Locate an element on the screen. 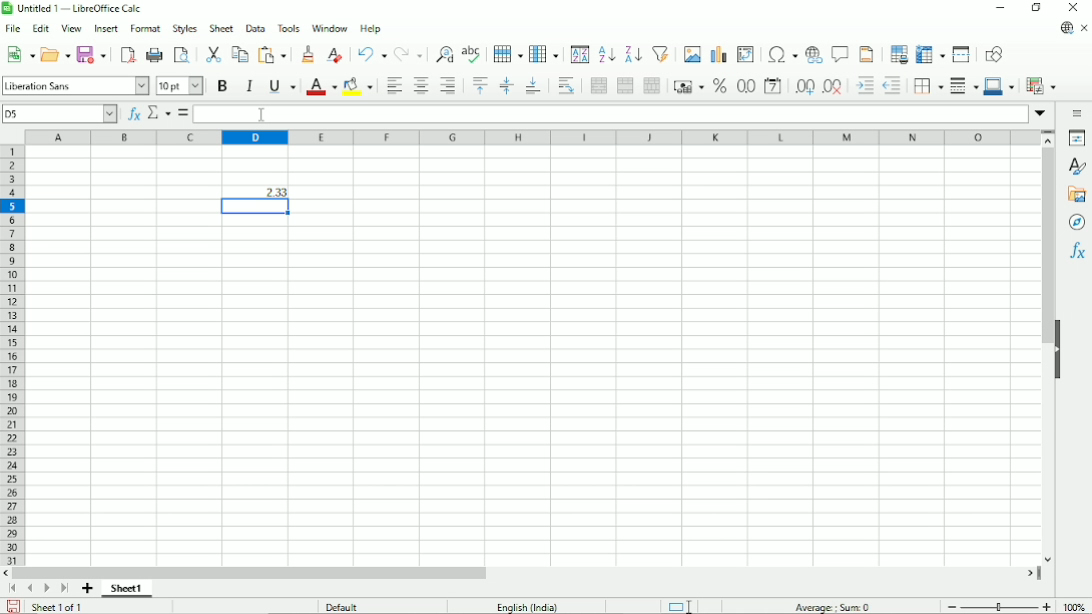  Style is located at coordinates (185, 28).